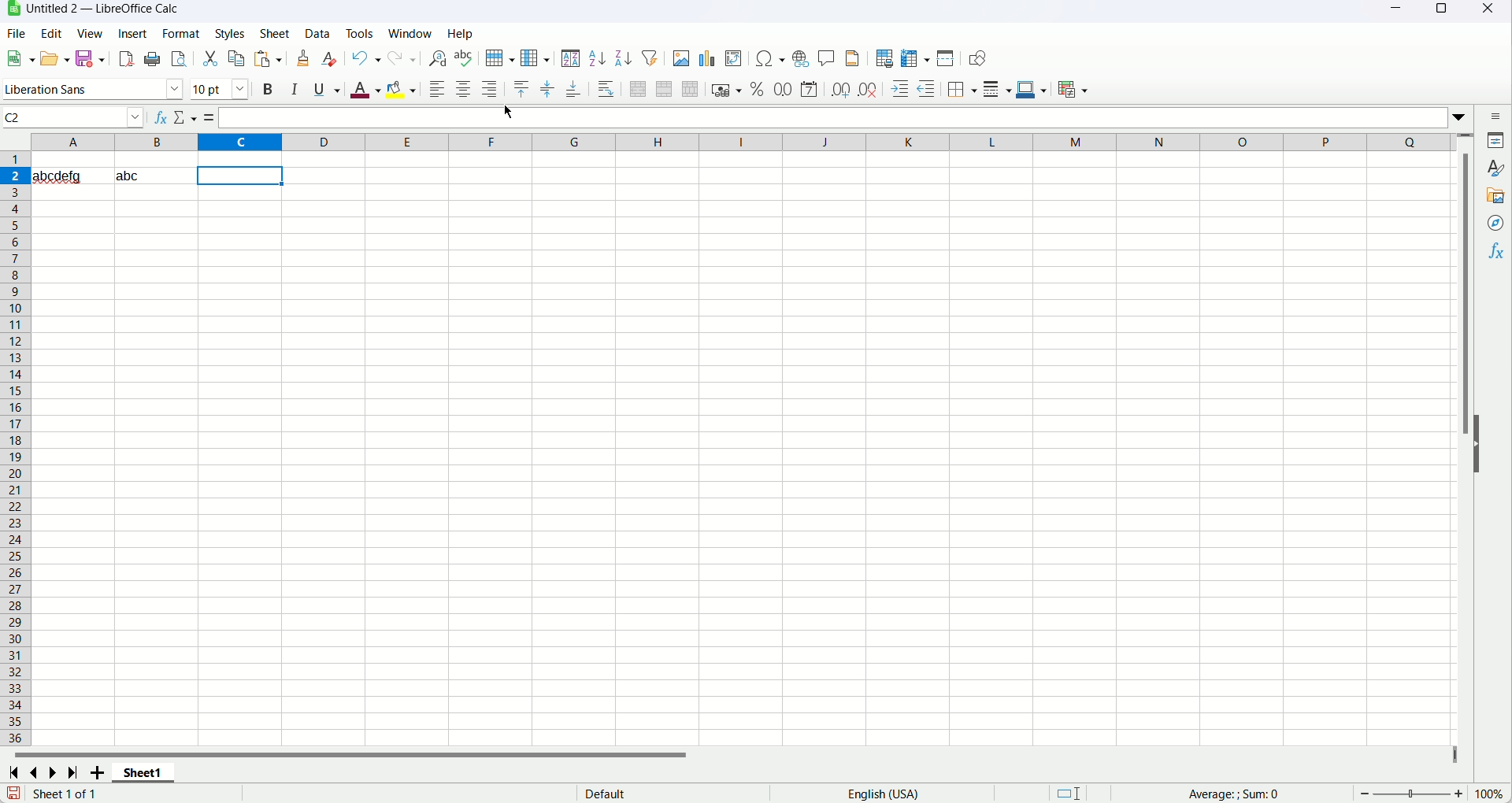 This screenshot has width=1512, height=803. I want to click on cell selected, so click(242, 176).